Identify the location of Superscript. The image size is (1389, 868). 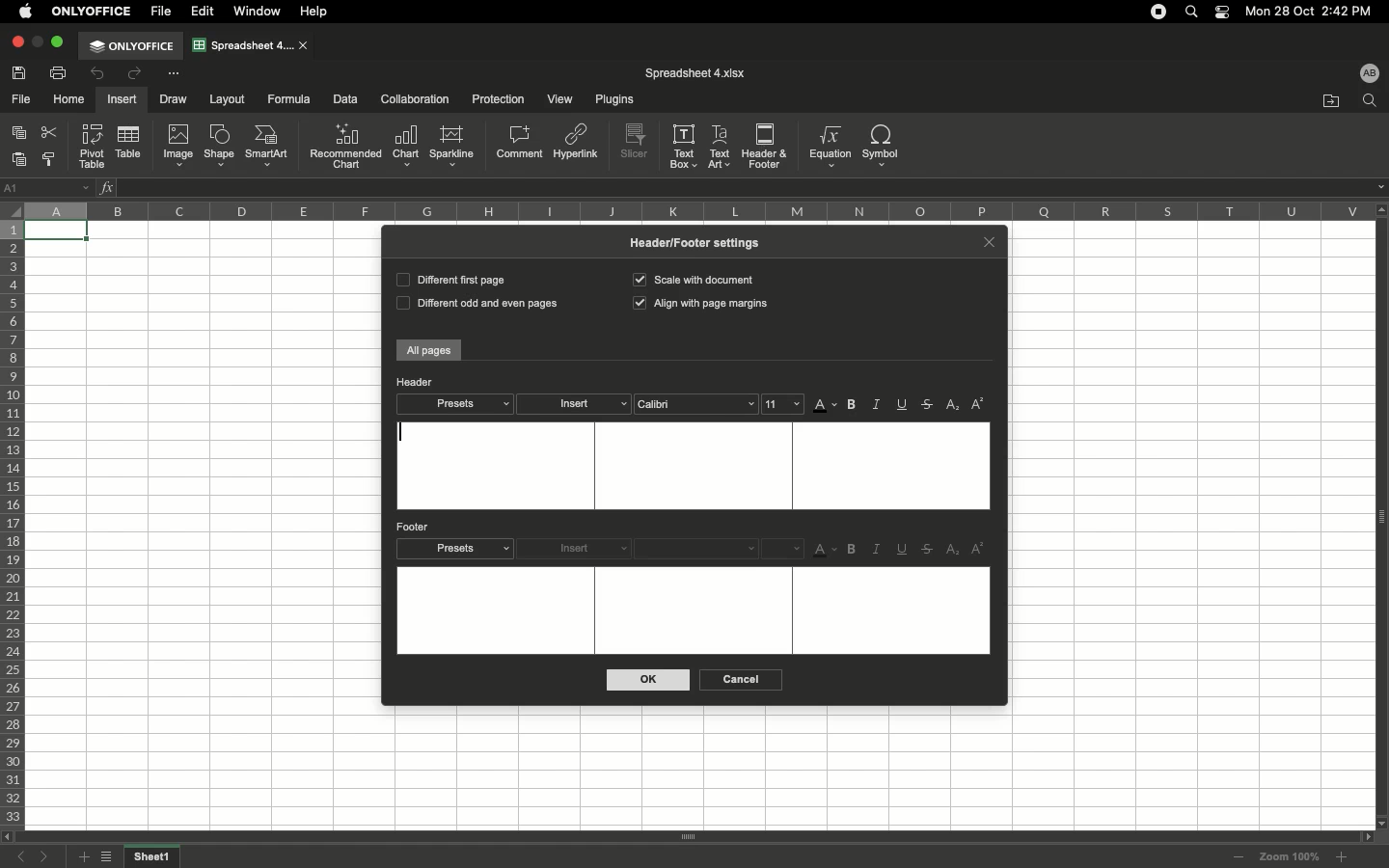
(977, 549).